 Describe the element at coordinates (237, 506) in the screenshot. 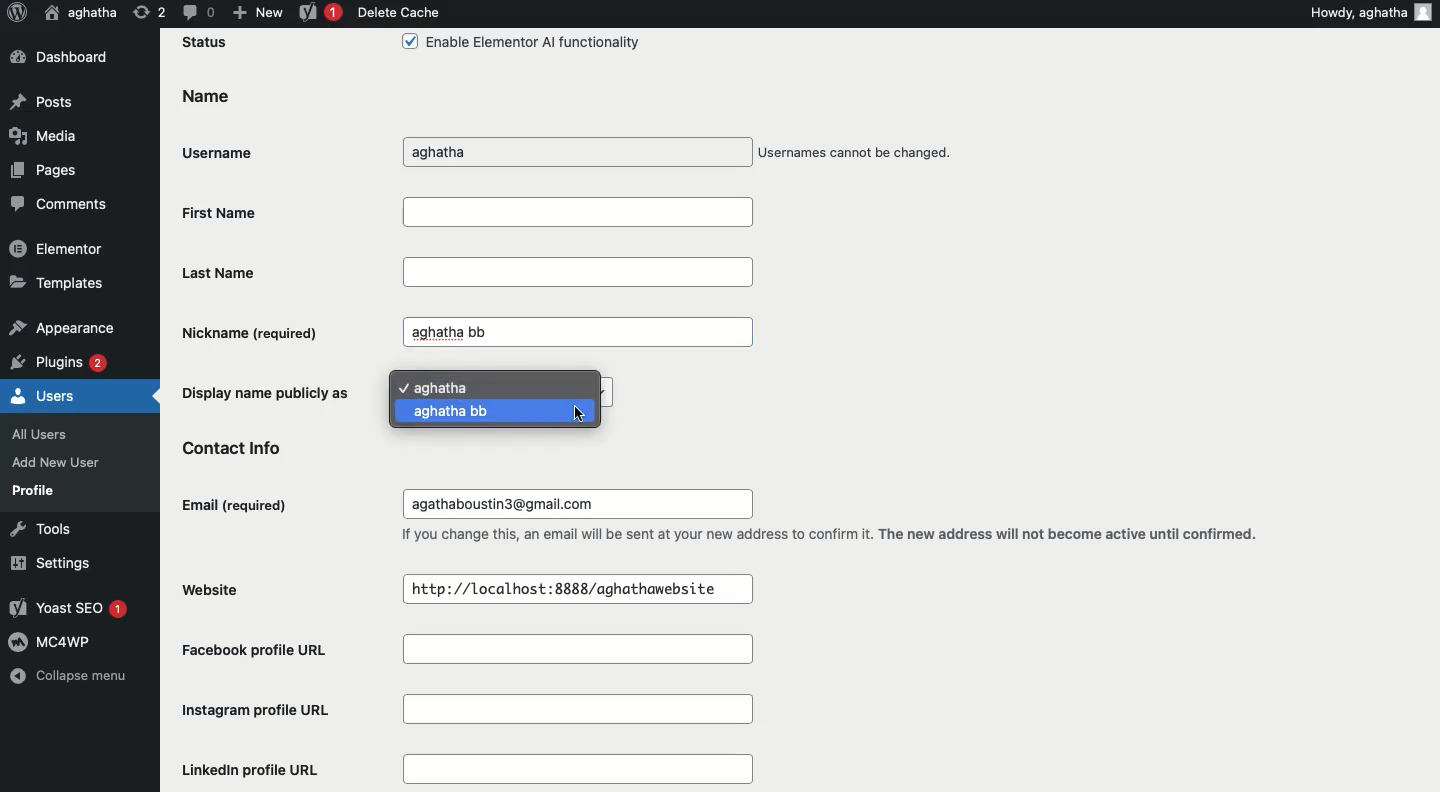

I see `Email` at that location.